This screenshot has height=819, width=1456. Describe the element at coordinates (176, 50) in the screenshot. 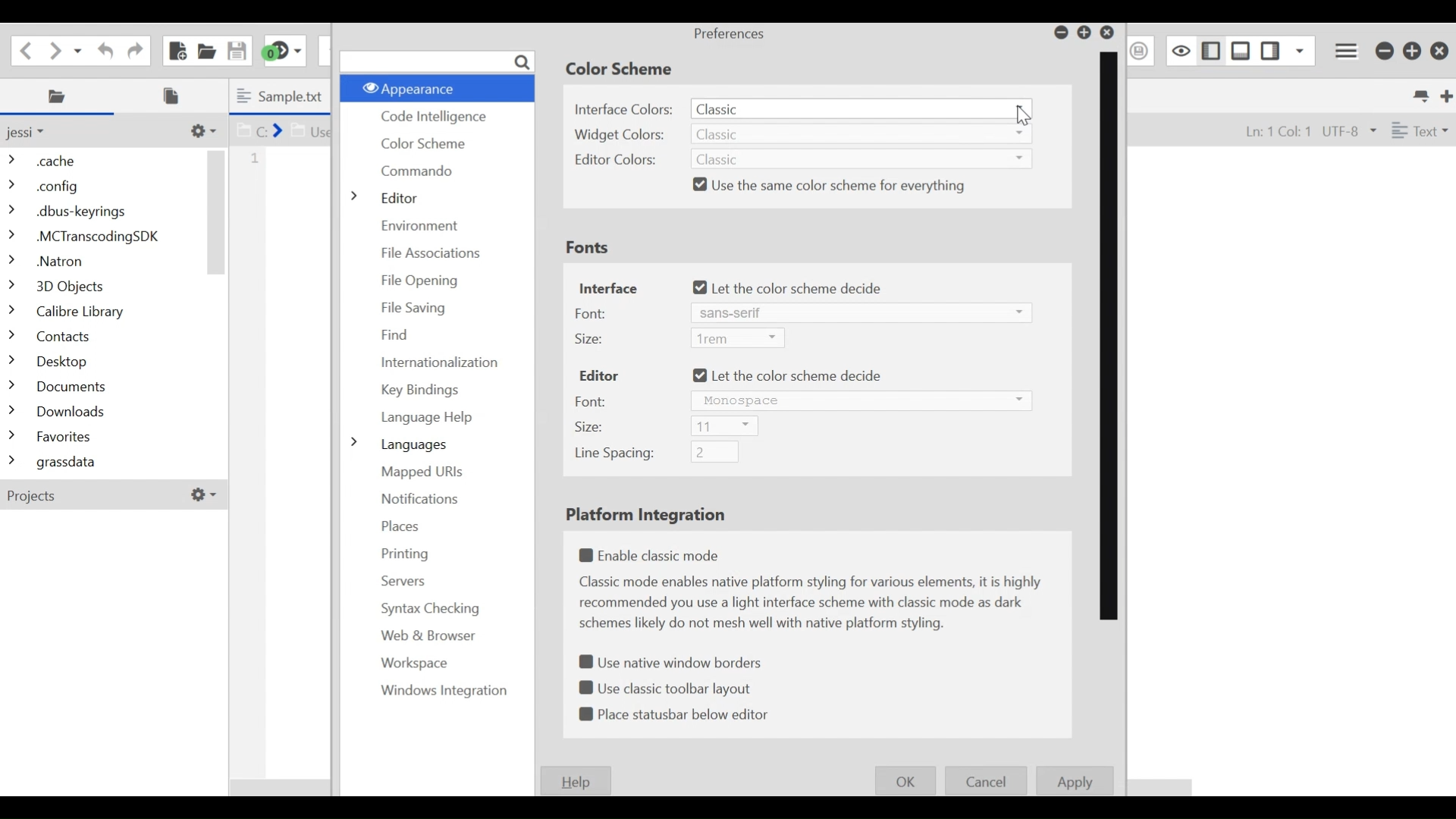

I see `New File` at that location.